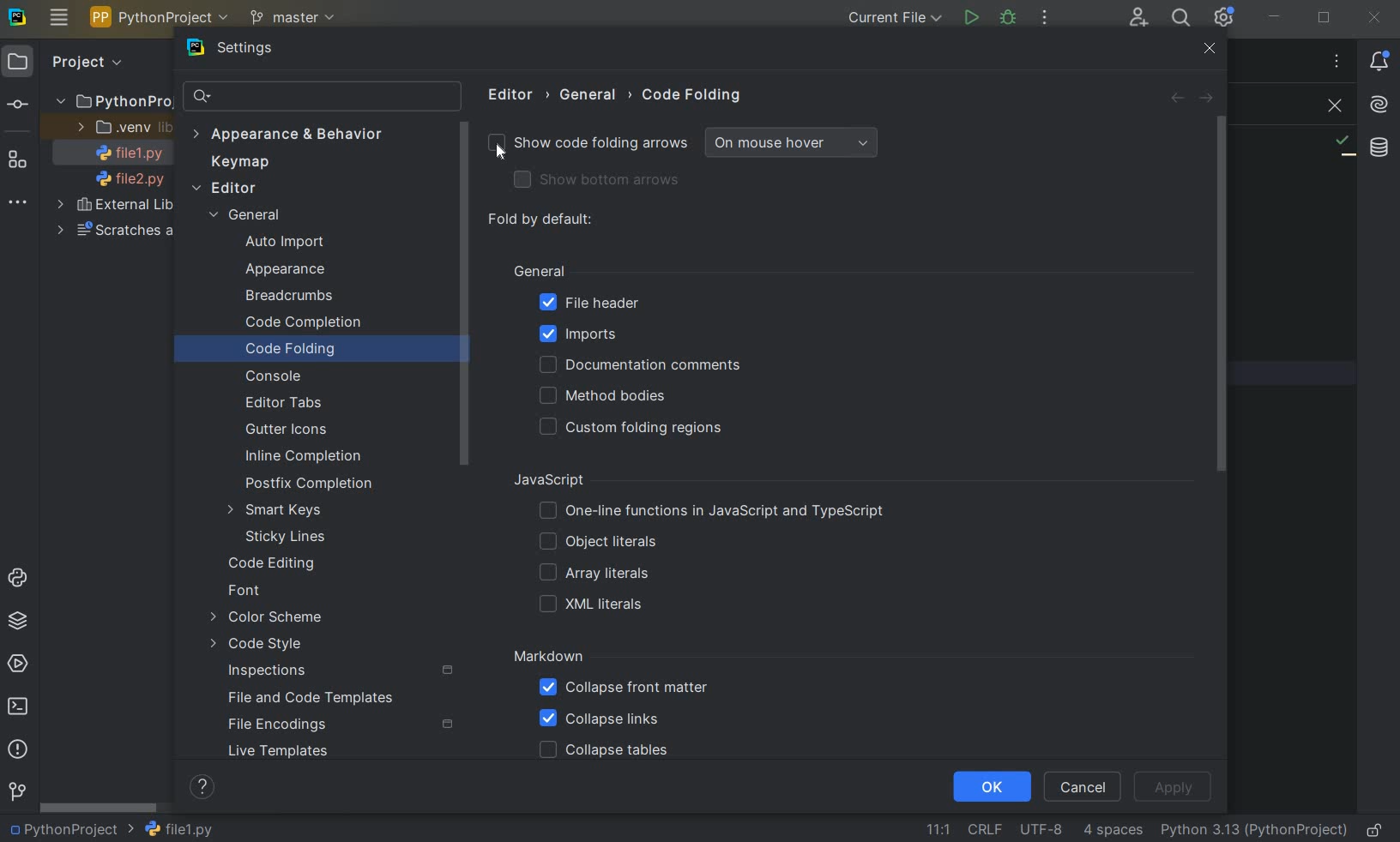 Image resolution: width=1400 pixels, height=842 pixels. What do you see at coordinates (321, 98) in the screenshot?
I see `SEARCH SETTINGS` at bounding box center [321, 98].